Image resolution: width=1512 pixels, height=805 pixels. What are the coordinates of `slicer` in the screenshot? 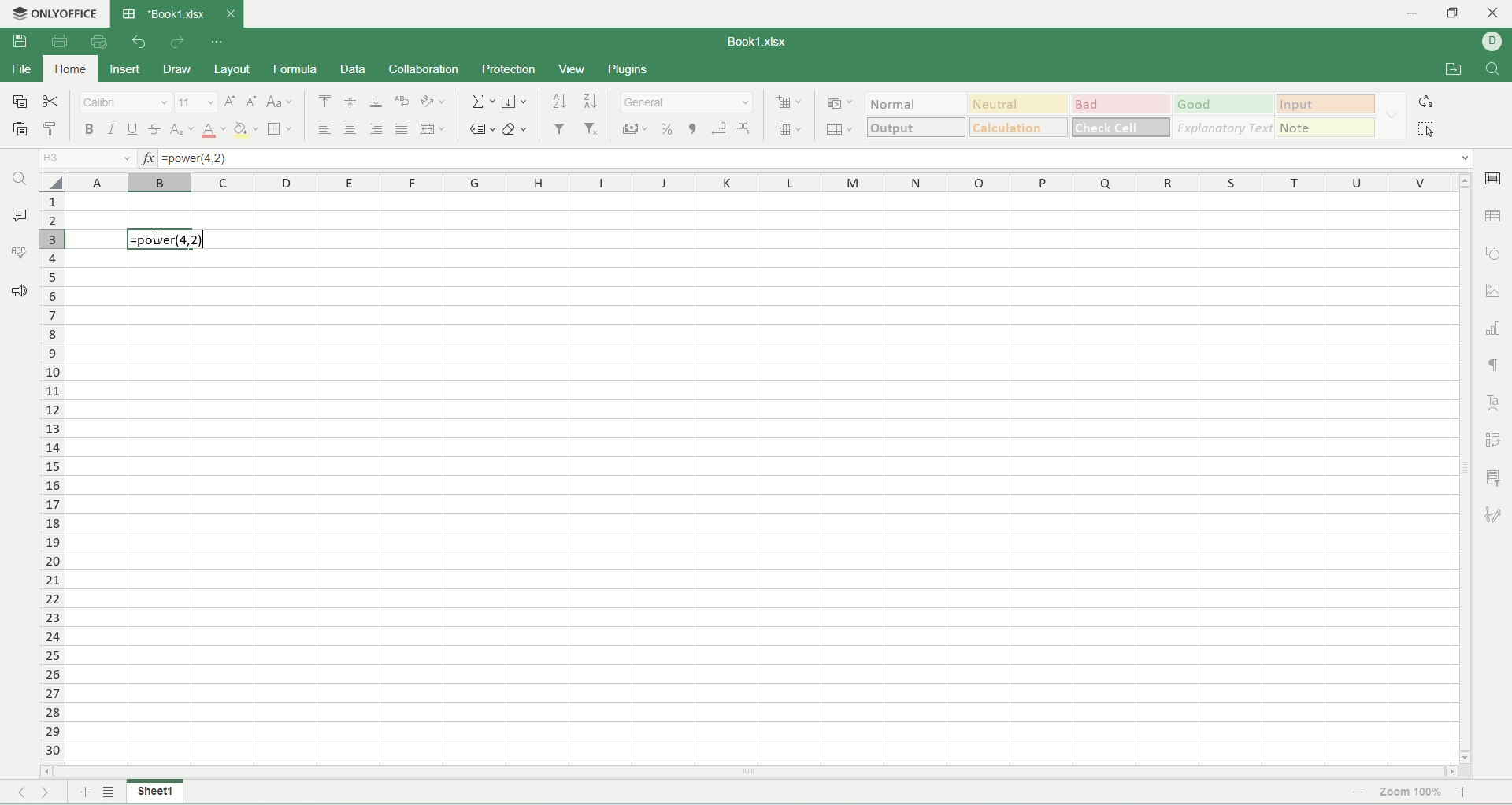 It's located at (1497, 477).